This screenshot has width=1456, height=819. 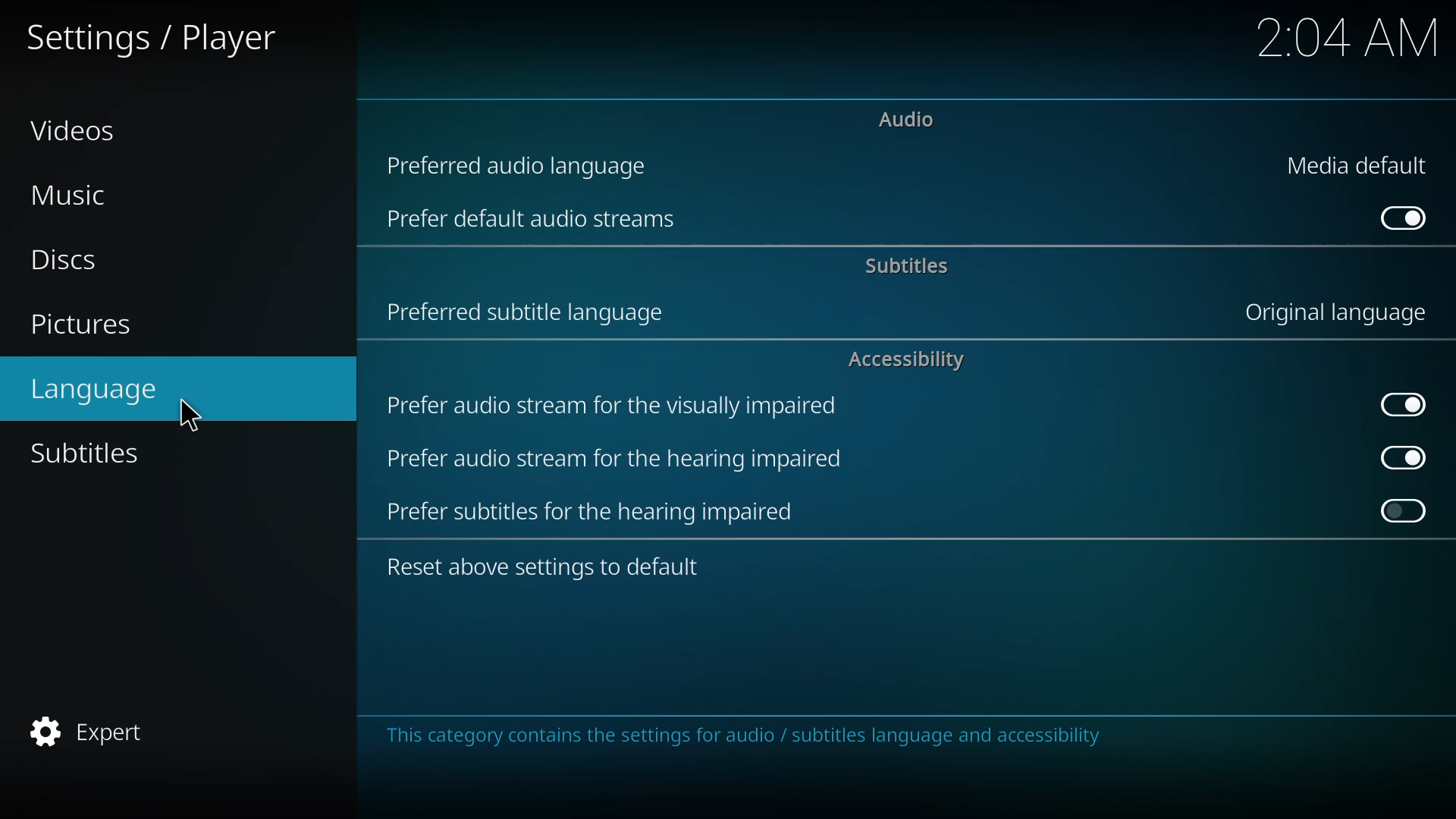 What do you see at coordinates (595, 510) in the screenshot?
I see `prefer subtitles for hearing impaired` at bounding box center [595, 510].